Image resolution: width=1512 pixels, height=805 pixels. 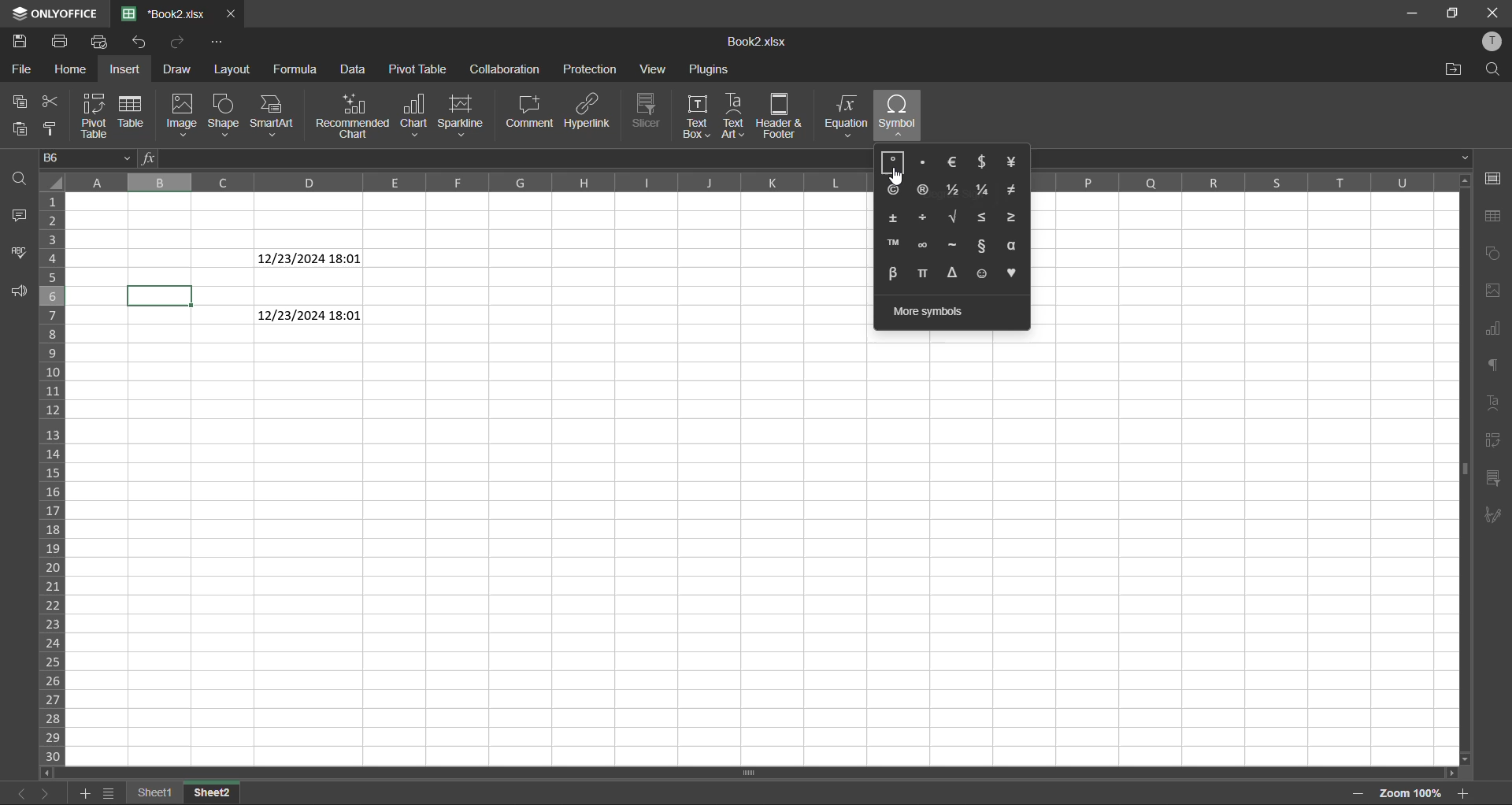 What do you see at coordinates (1355, 791) in the screenshot?
I see `zoom in` at bounding box center [1355, 791].